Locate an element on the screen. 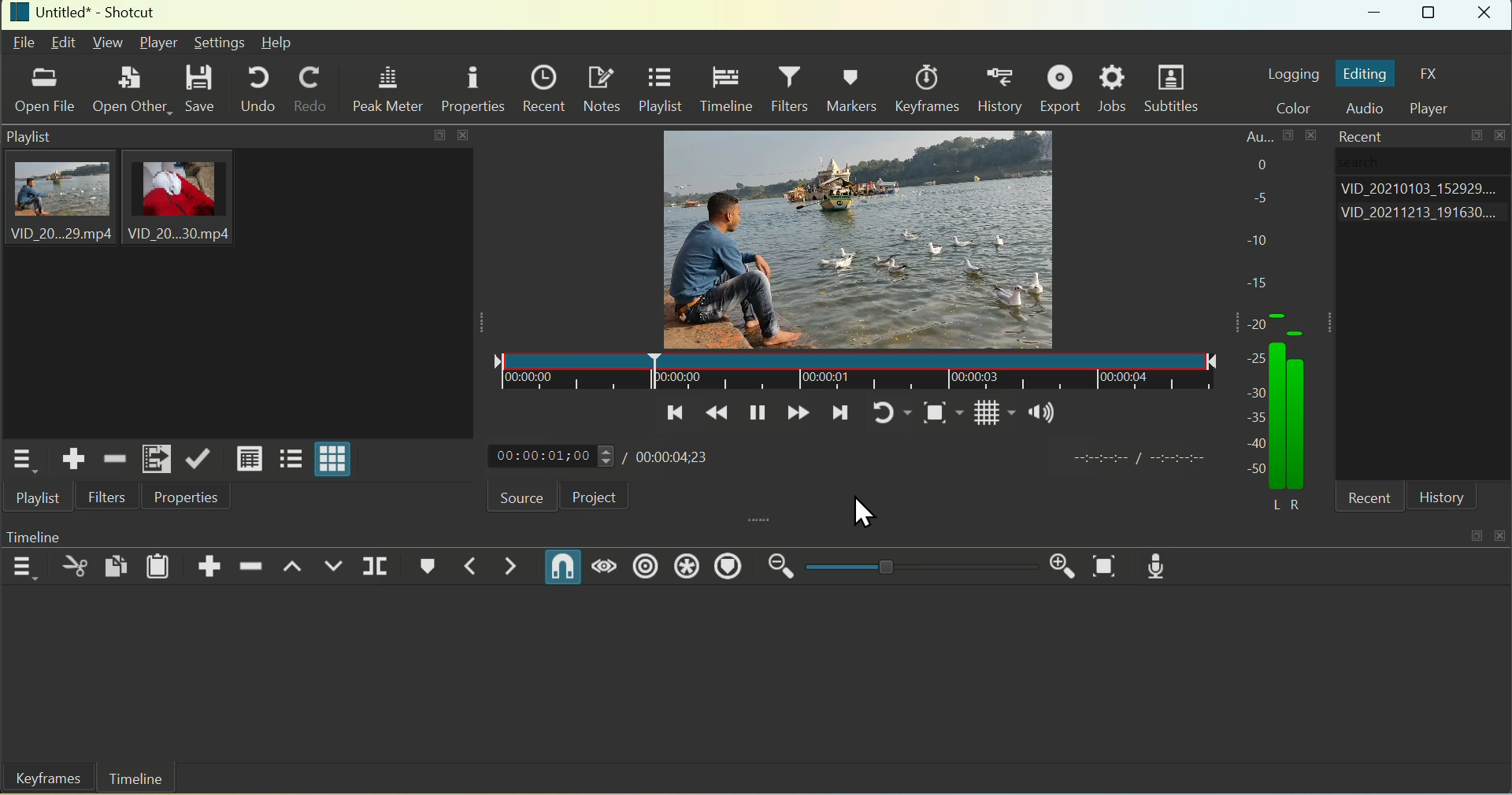 Image resolution: width=1512 pixels, height=795 pixels. Search is located at coordinates (1382, 164).